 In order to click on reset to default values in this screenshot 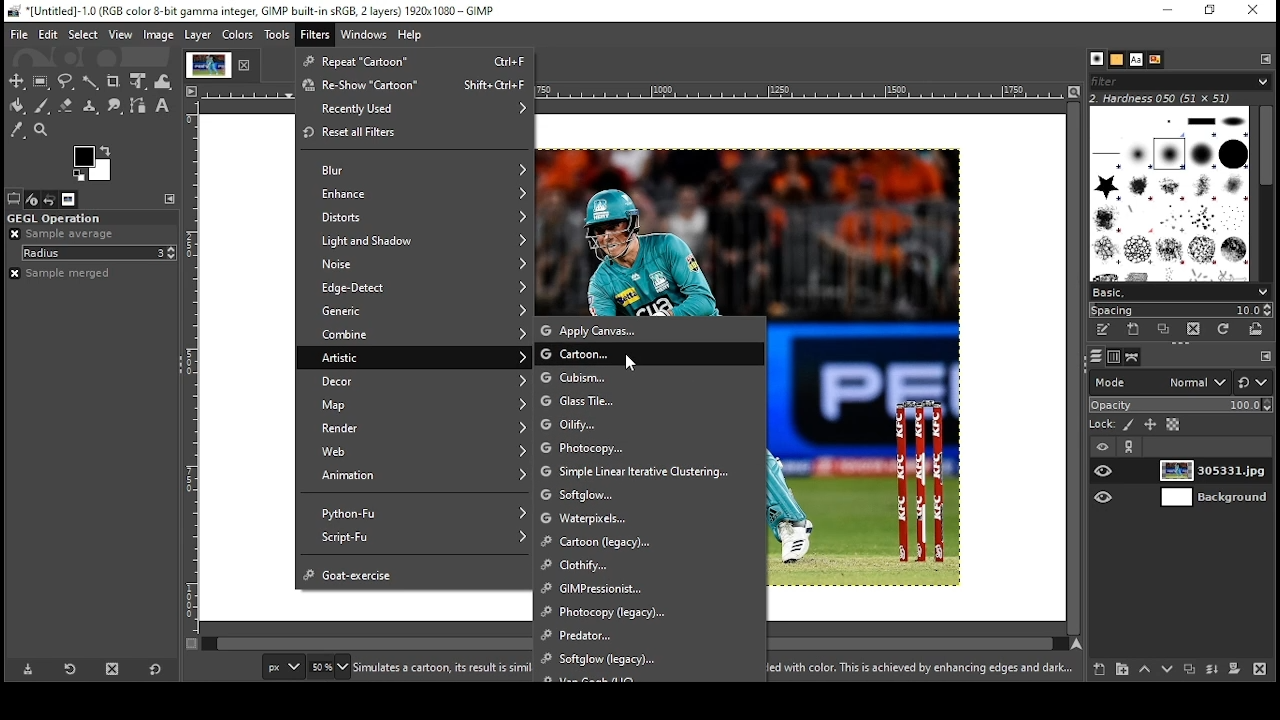, I will do `click(157, 668)`.